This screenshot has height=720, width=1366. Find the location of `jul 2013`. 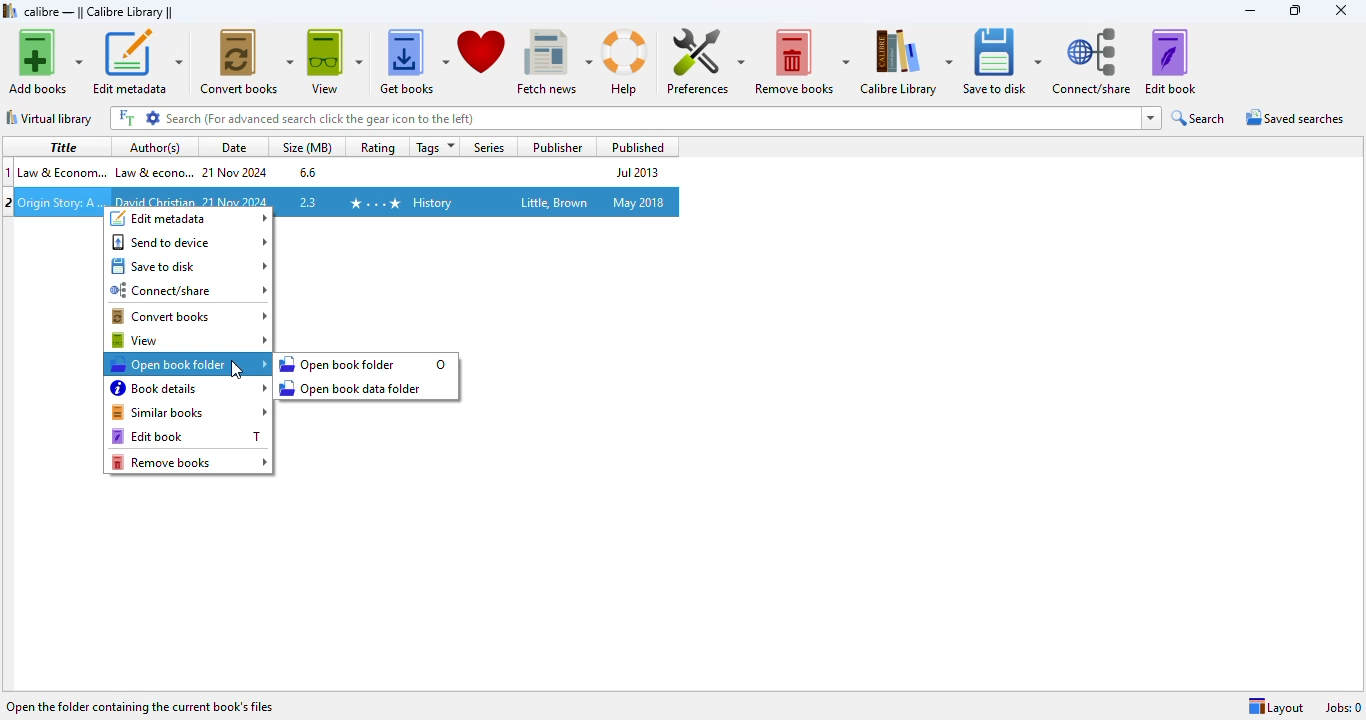

jul 2013 is located at coordinates (634, 172).